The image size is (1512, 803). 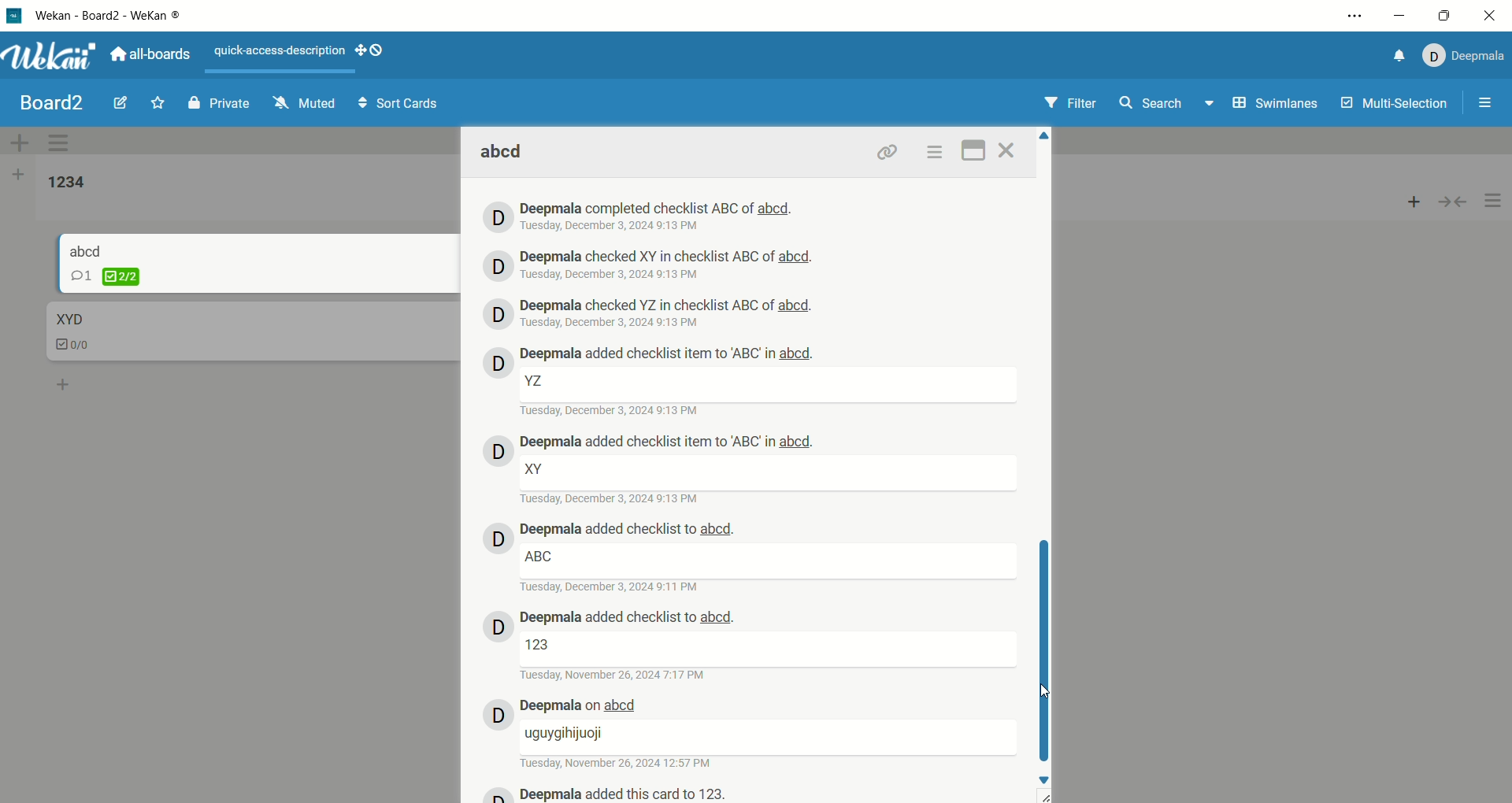 I want to click on card title, so click(x=504, y=153).